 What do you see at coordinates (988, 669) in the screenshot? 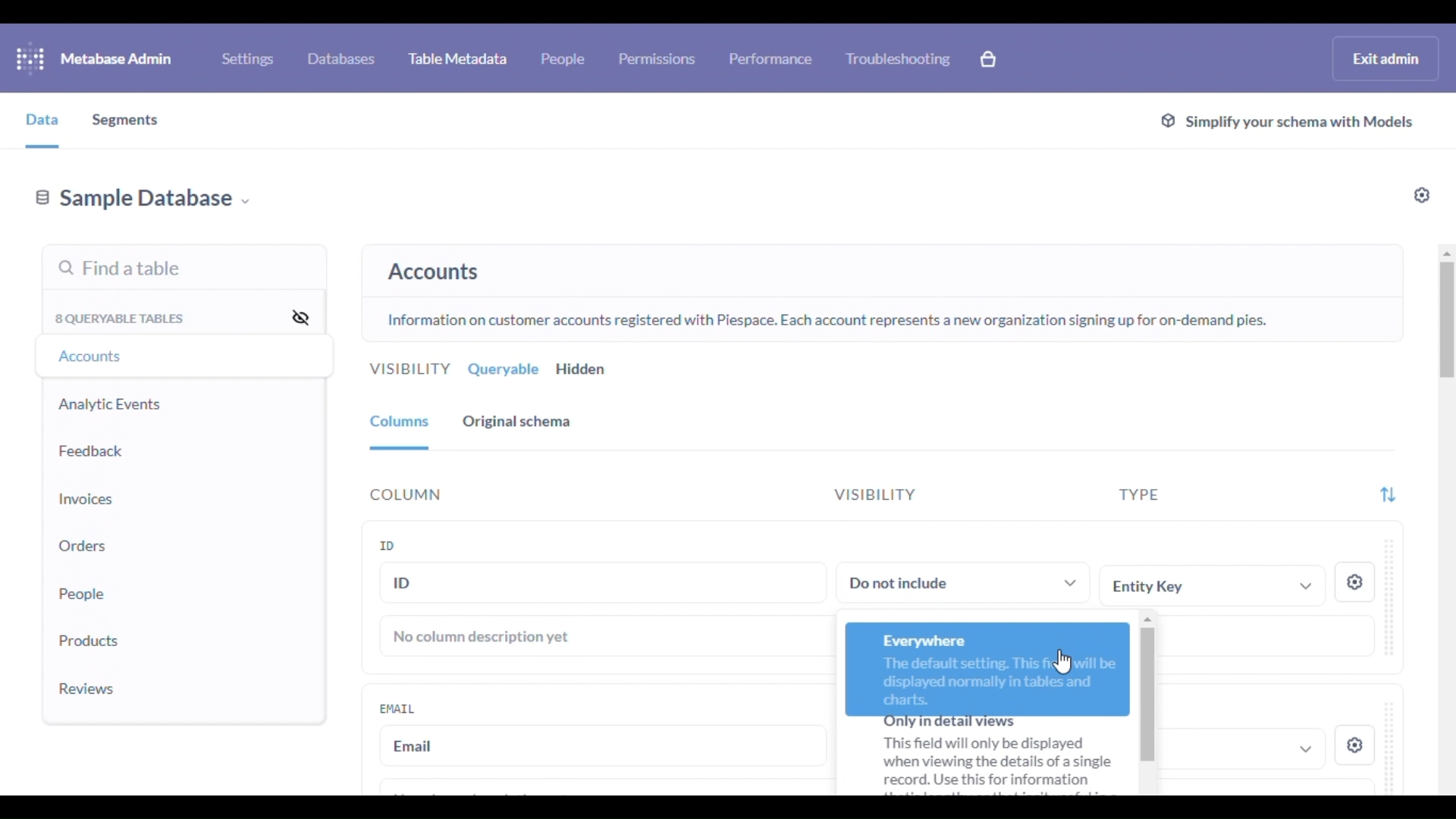
I see `everywhere` at bounding box center [988, 669].